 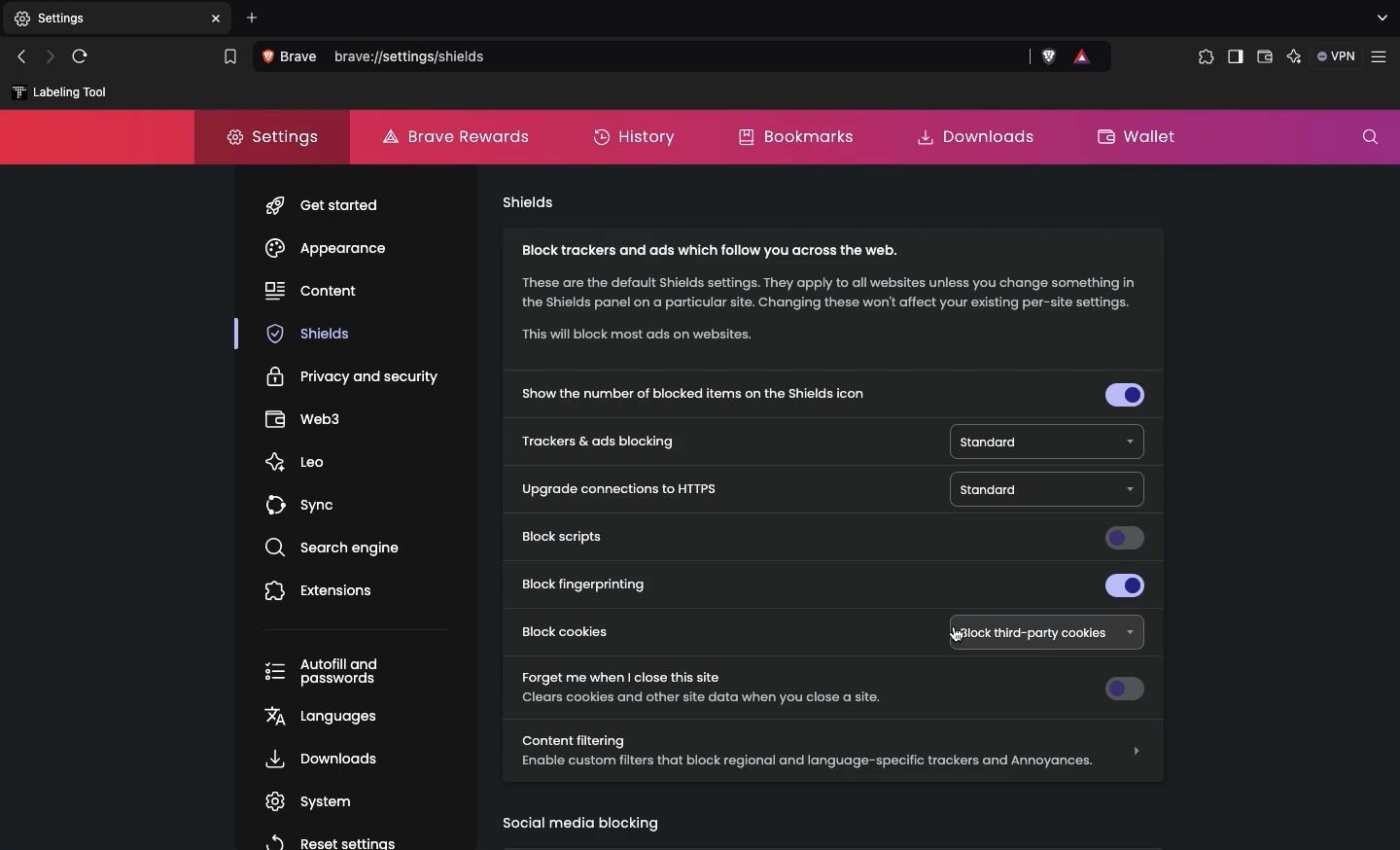 I want to click on reset settings, so click(x=329, y=840).